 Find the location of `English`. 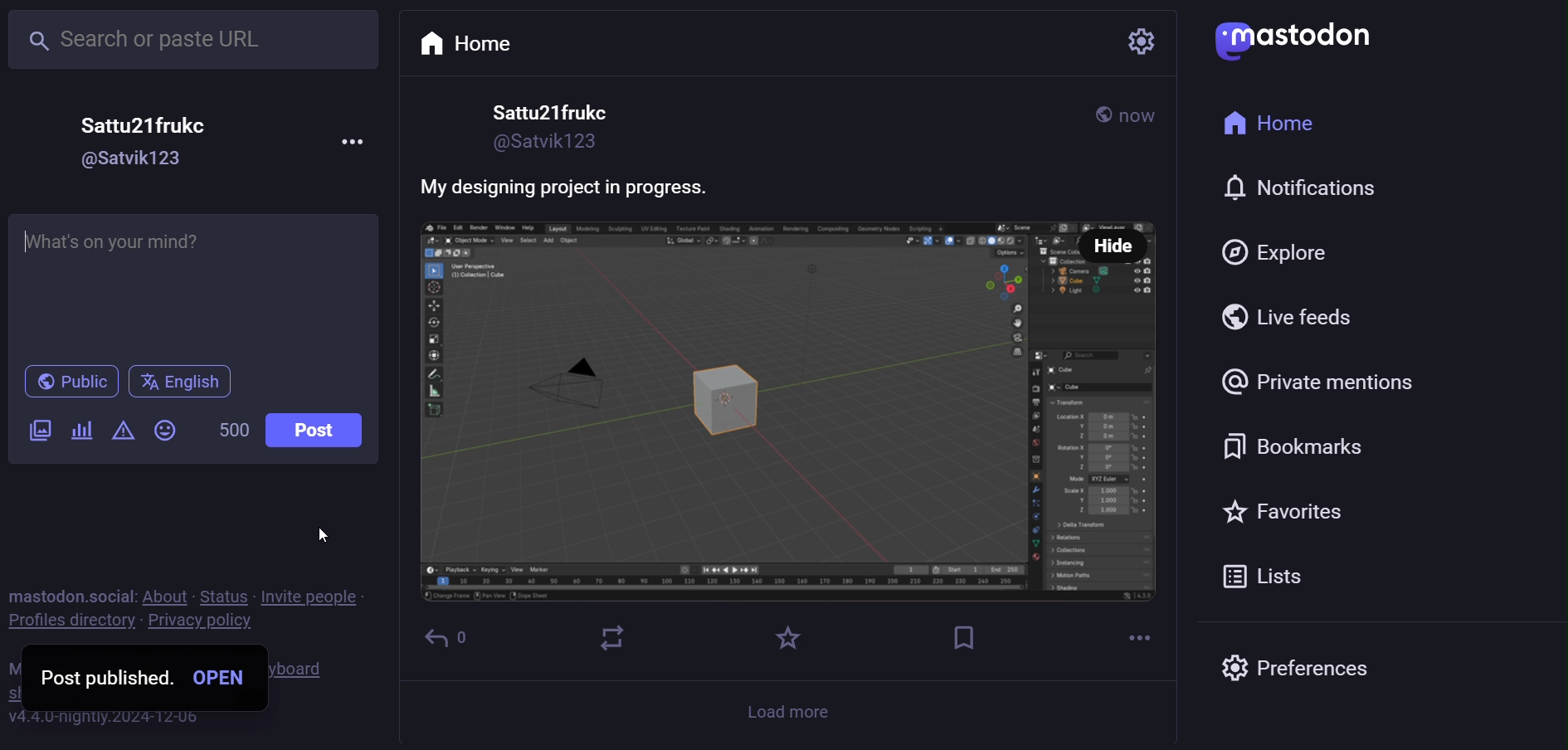

English is located at coordinates (184, 384).